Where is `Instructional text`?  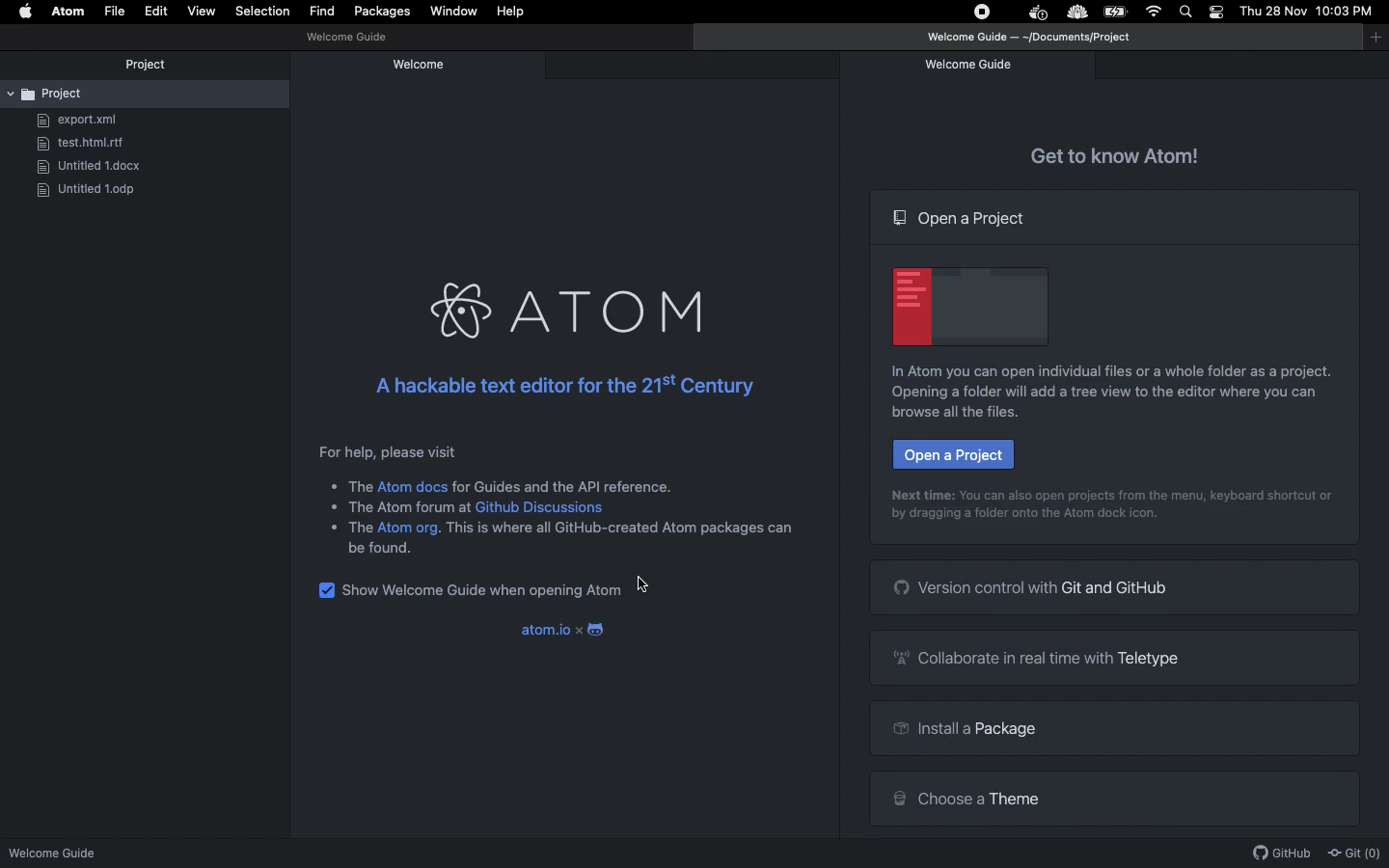 Instructional text is located at coordinates (1096, 406).